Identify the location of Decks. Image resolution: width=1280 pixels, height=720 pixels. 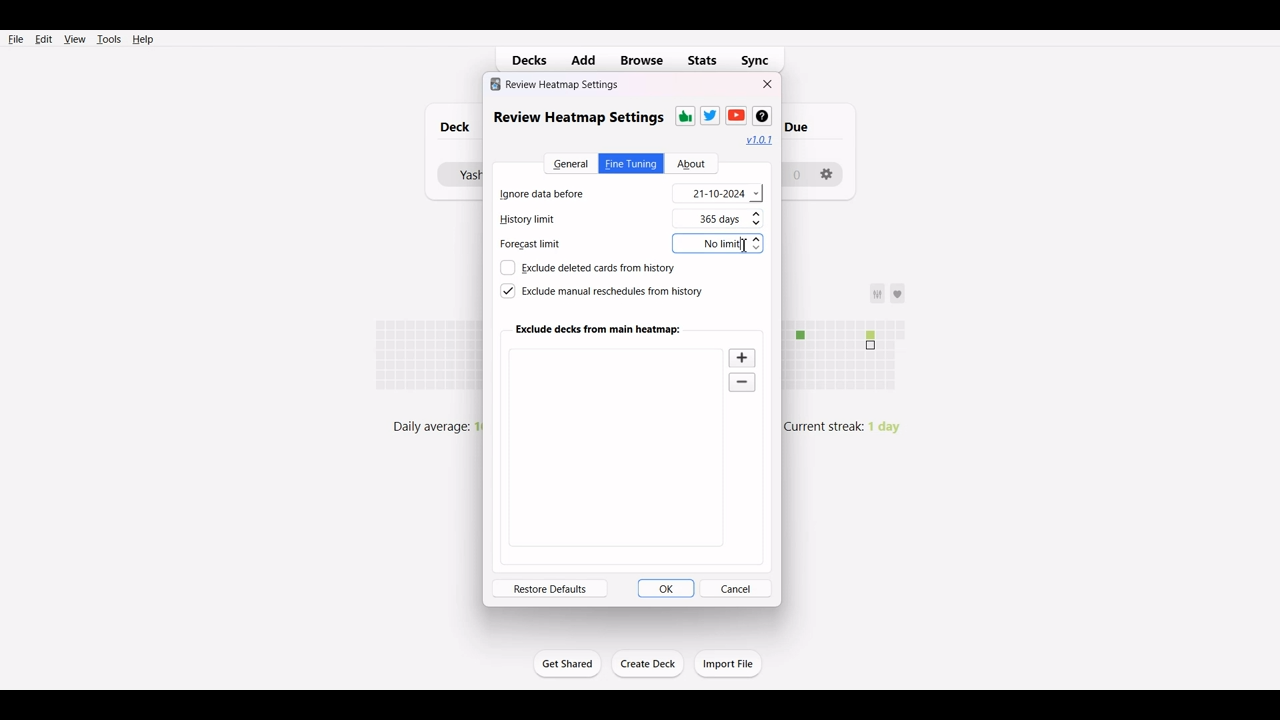
(525, 60).